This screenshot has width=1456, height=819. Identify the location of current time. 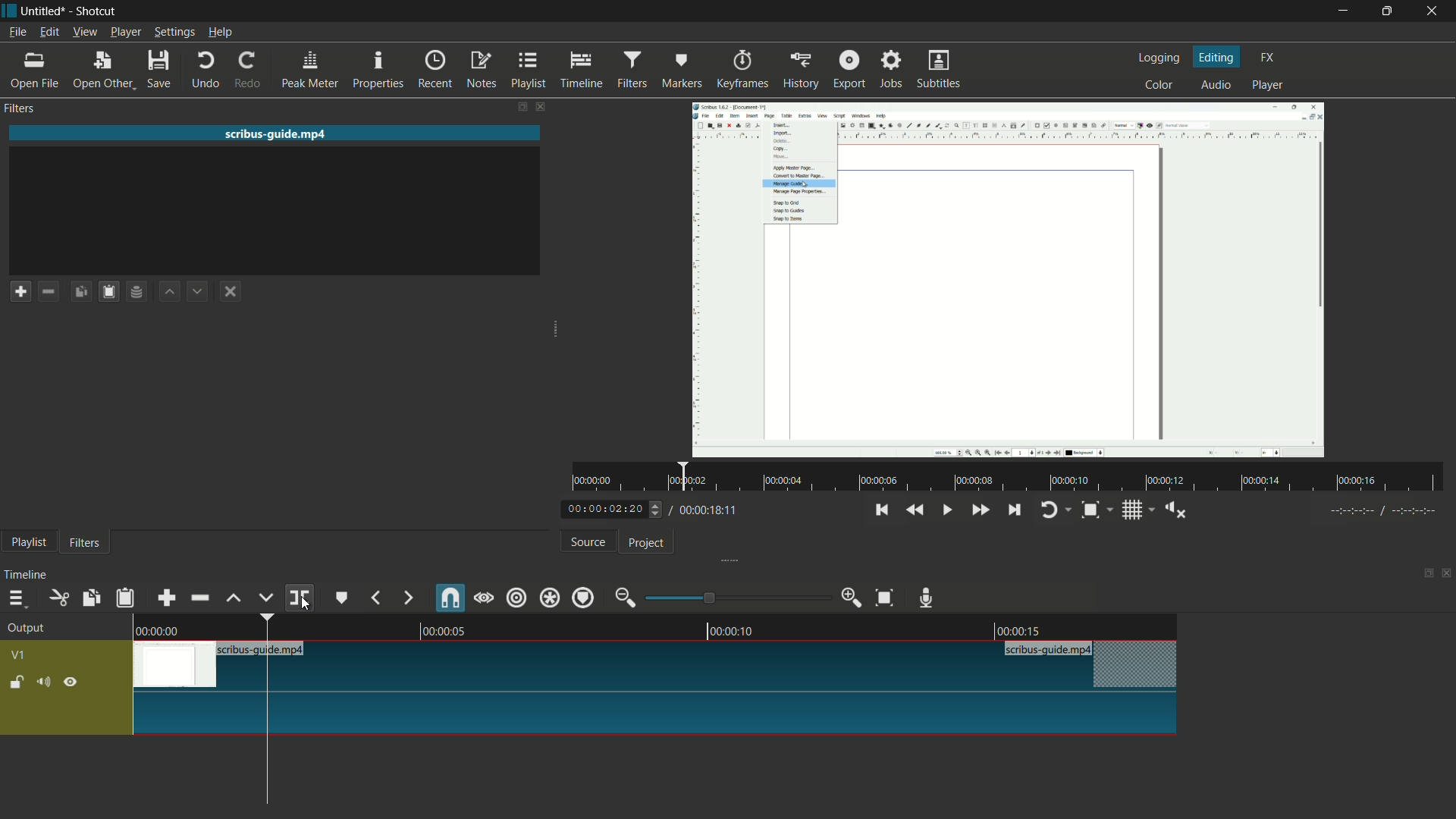
(603, 510).